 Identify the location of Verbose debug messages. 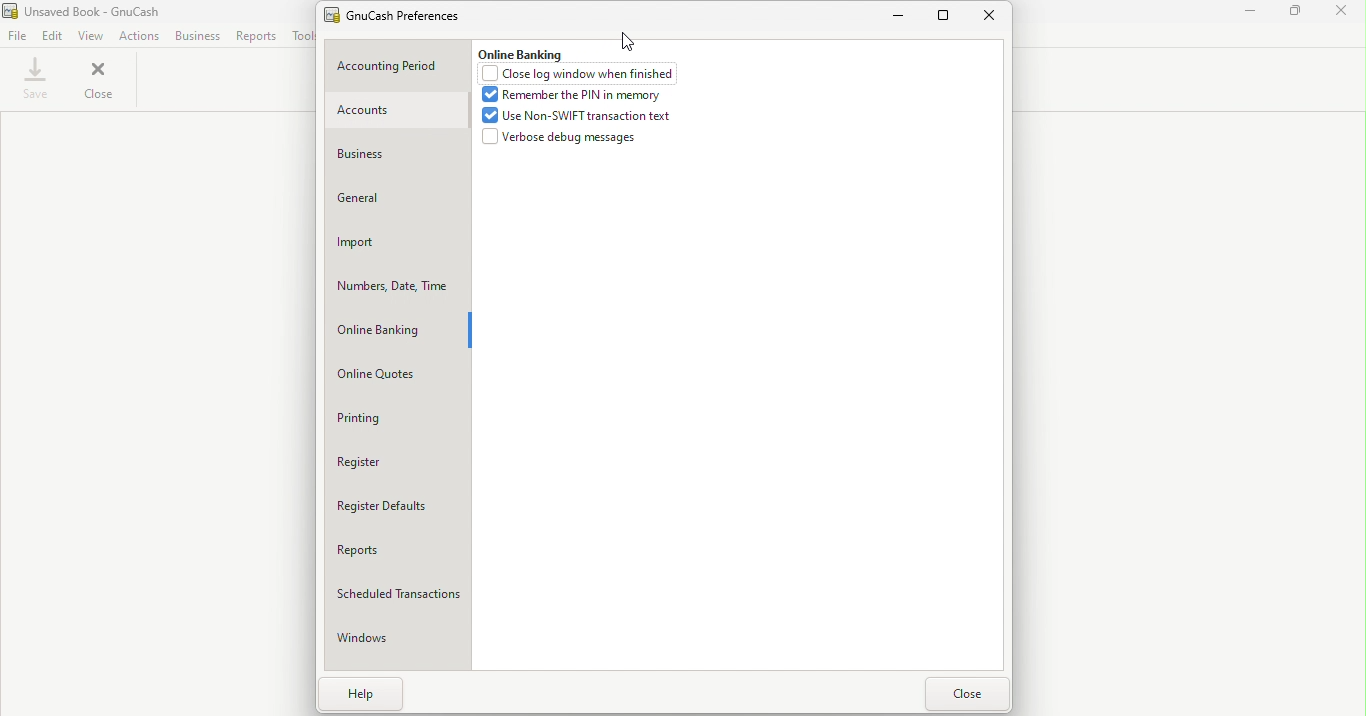
(559, 137).